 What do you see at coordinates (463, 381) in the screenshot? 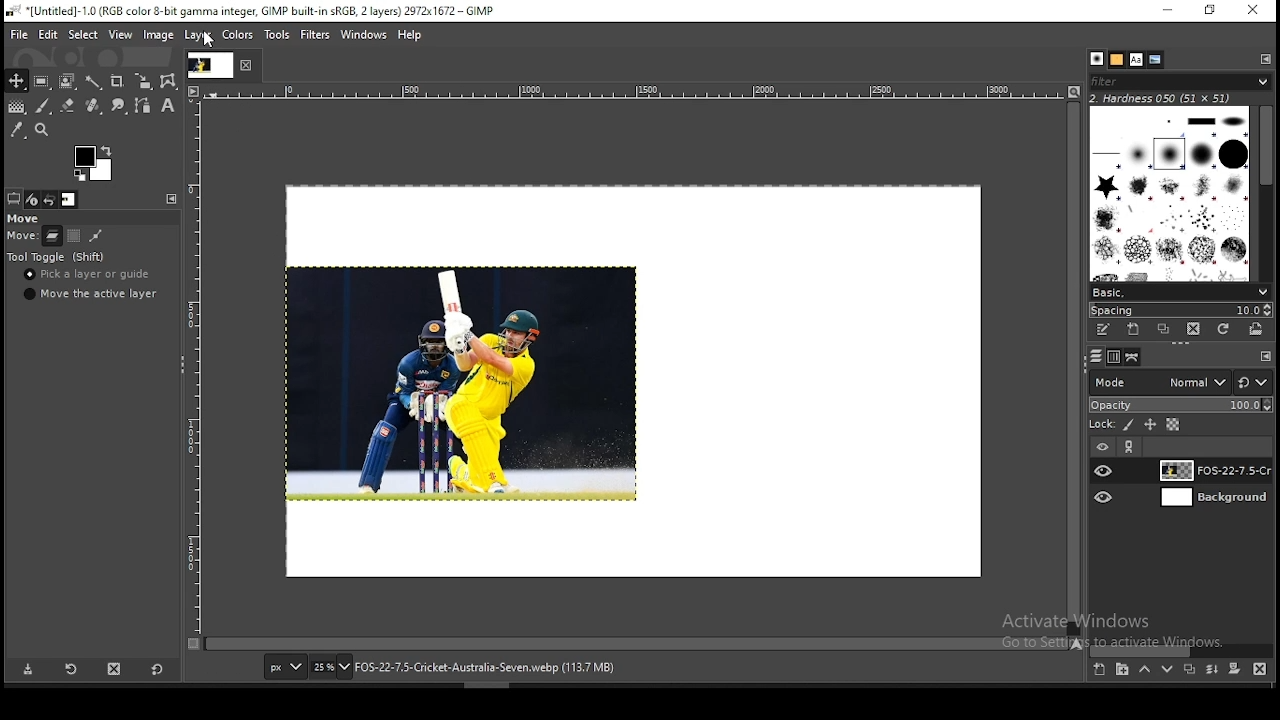
I see `image` at bounding box center [463, 381].